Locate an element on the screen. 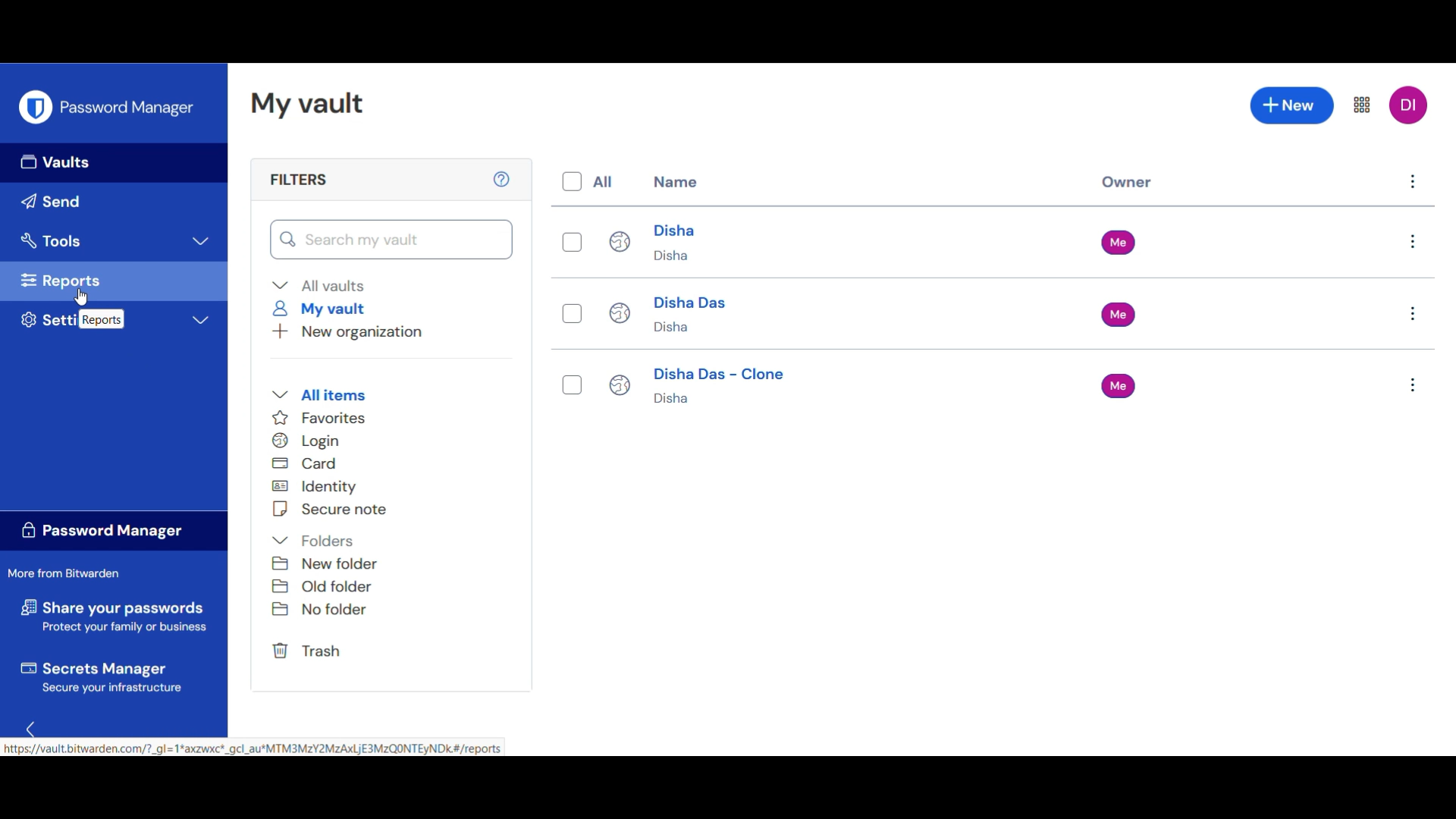 The image size is (1456, 819). Web link of current selection by cursor is located at coordinates (253, 745).